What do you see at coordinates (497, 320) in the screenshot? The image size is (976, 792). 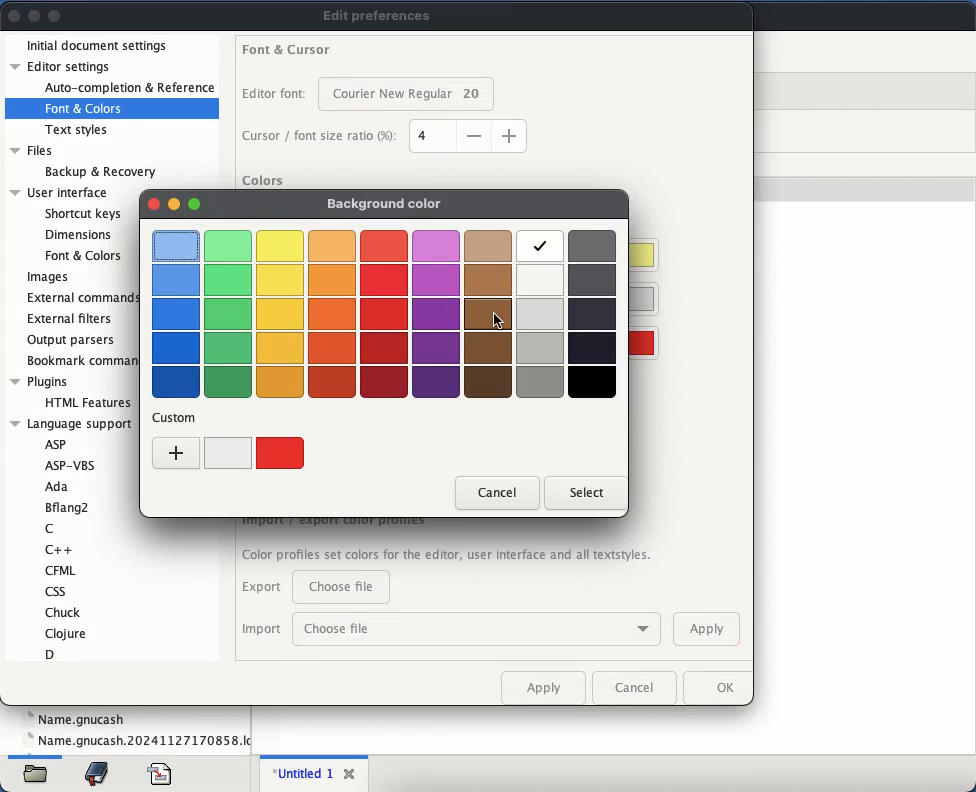 I see `cursor` at bounding box center [497, 320].